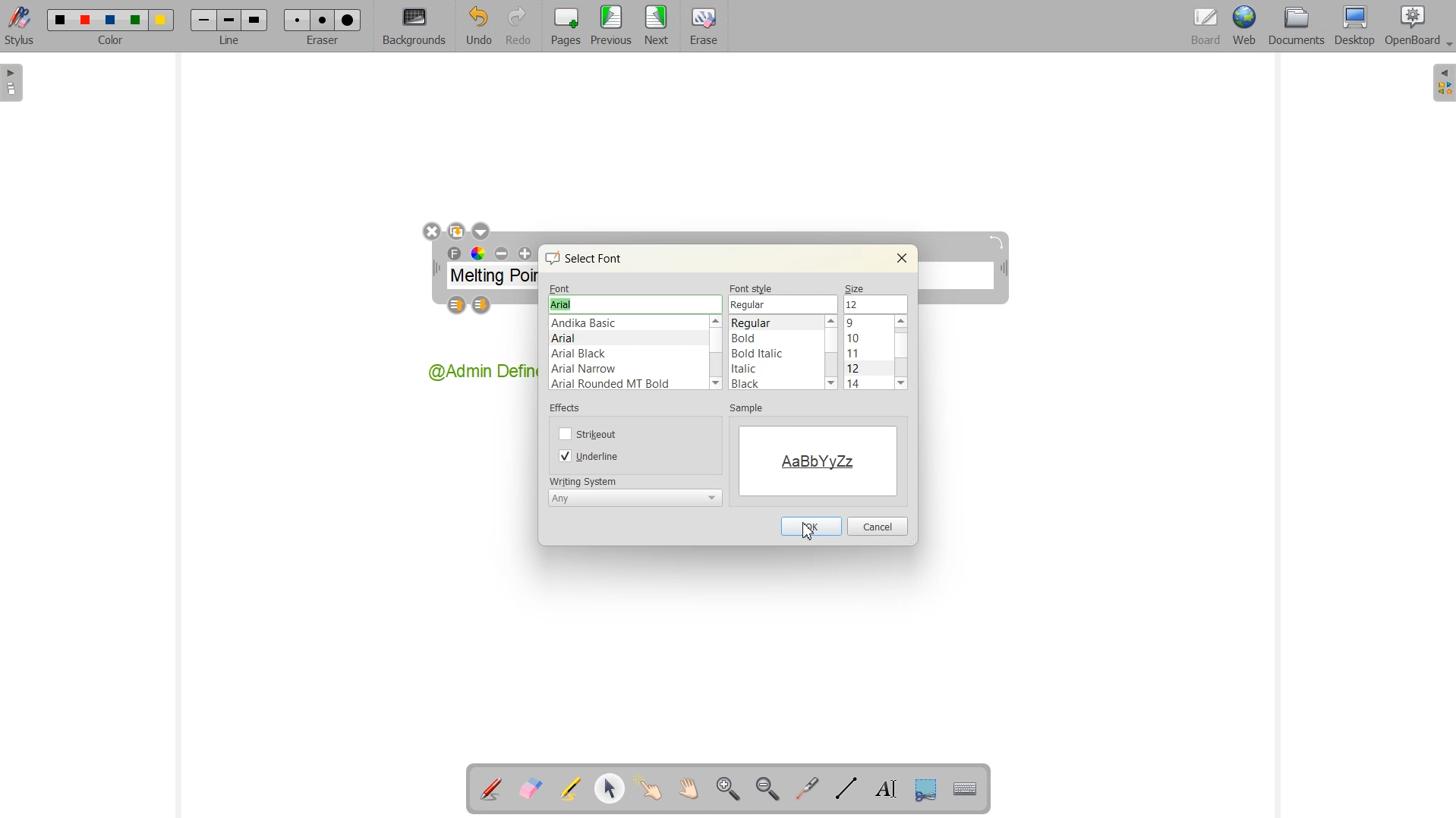 The image size is (1456, 818). Describe the element at coordinates (882, 787) in the screenshot. I see `Write text` at that location.